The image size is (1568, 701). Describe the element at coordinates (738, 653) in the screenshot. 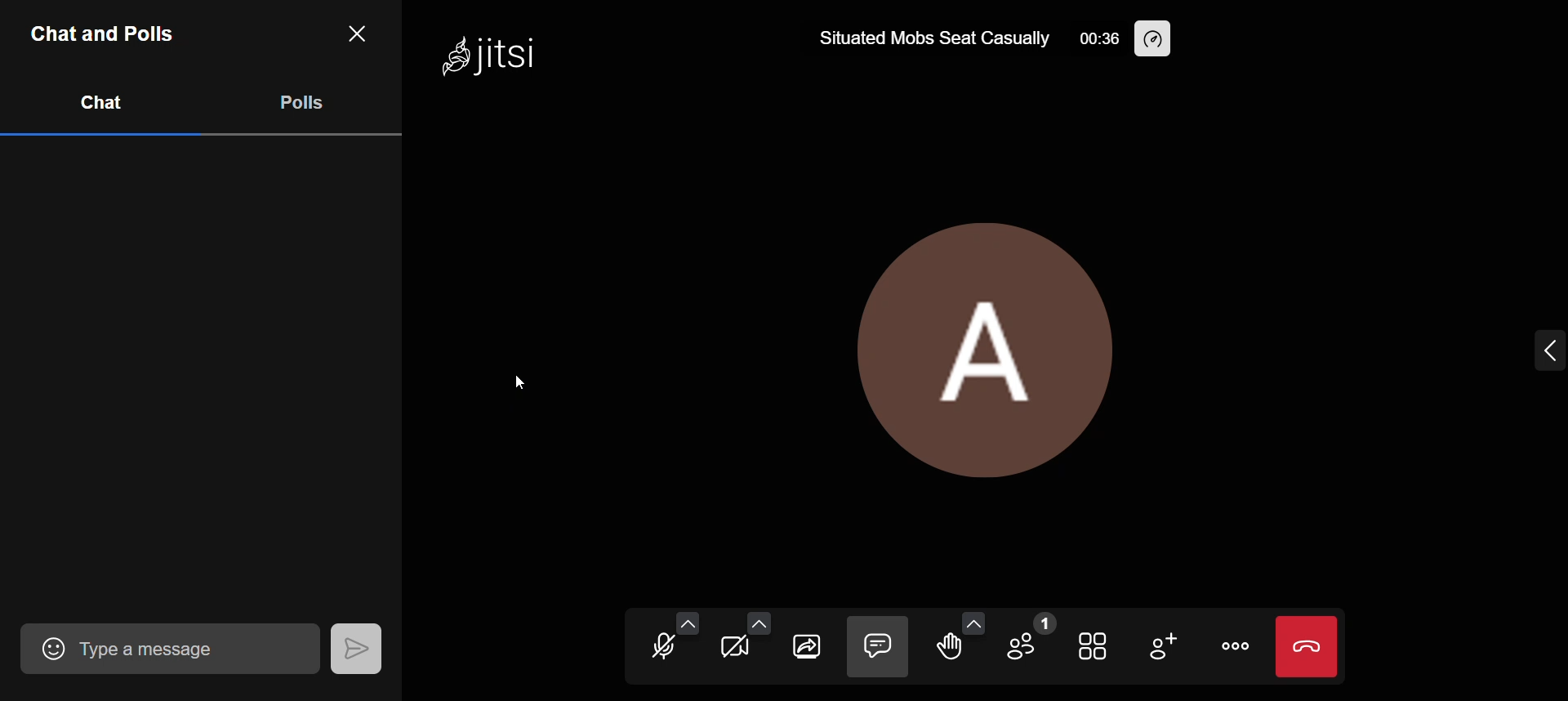

I see `start camera` at that location.